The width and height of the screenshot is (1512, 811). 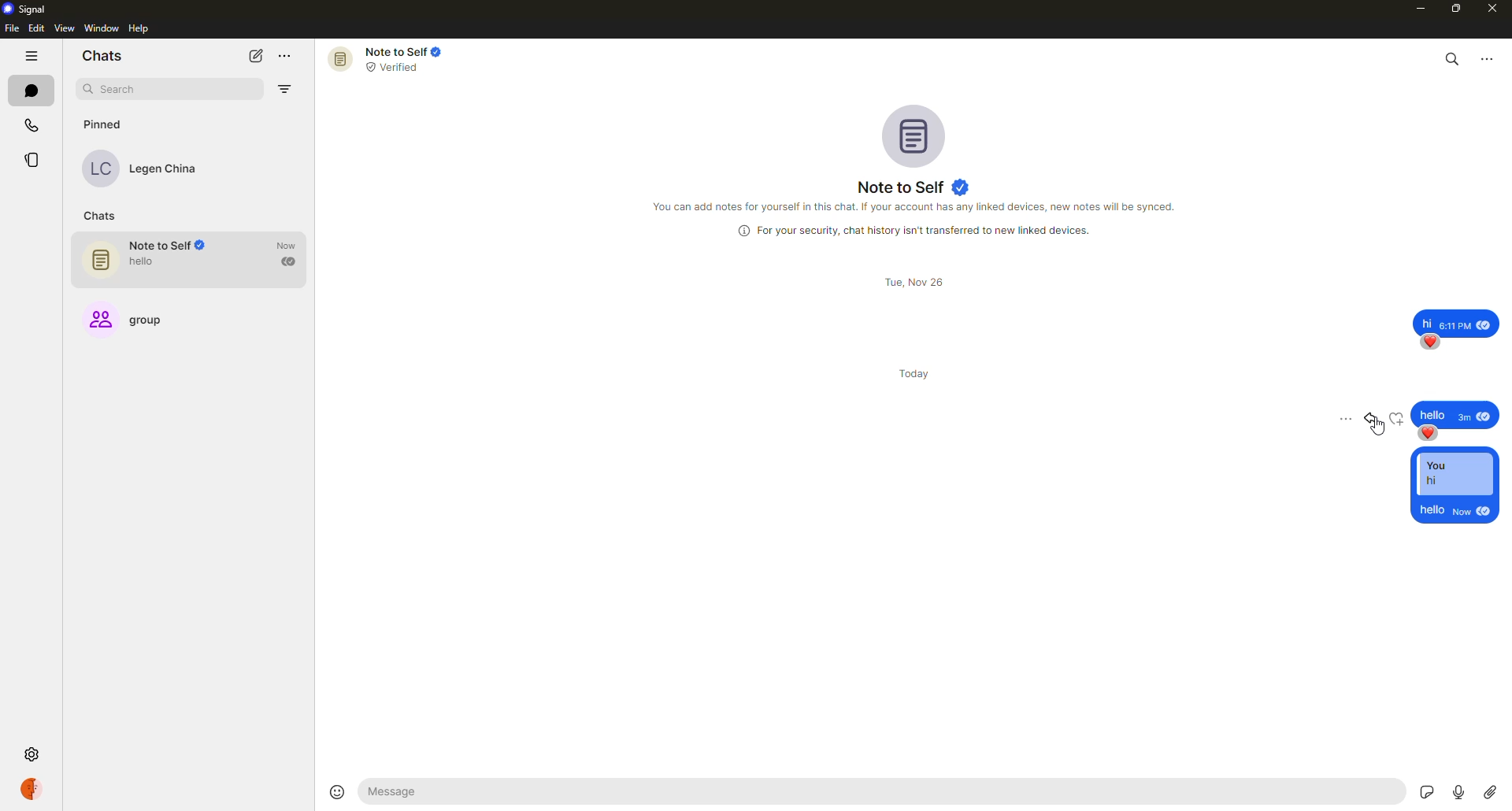 I want to click on reaction, so click(x=1426, y=434).